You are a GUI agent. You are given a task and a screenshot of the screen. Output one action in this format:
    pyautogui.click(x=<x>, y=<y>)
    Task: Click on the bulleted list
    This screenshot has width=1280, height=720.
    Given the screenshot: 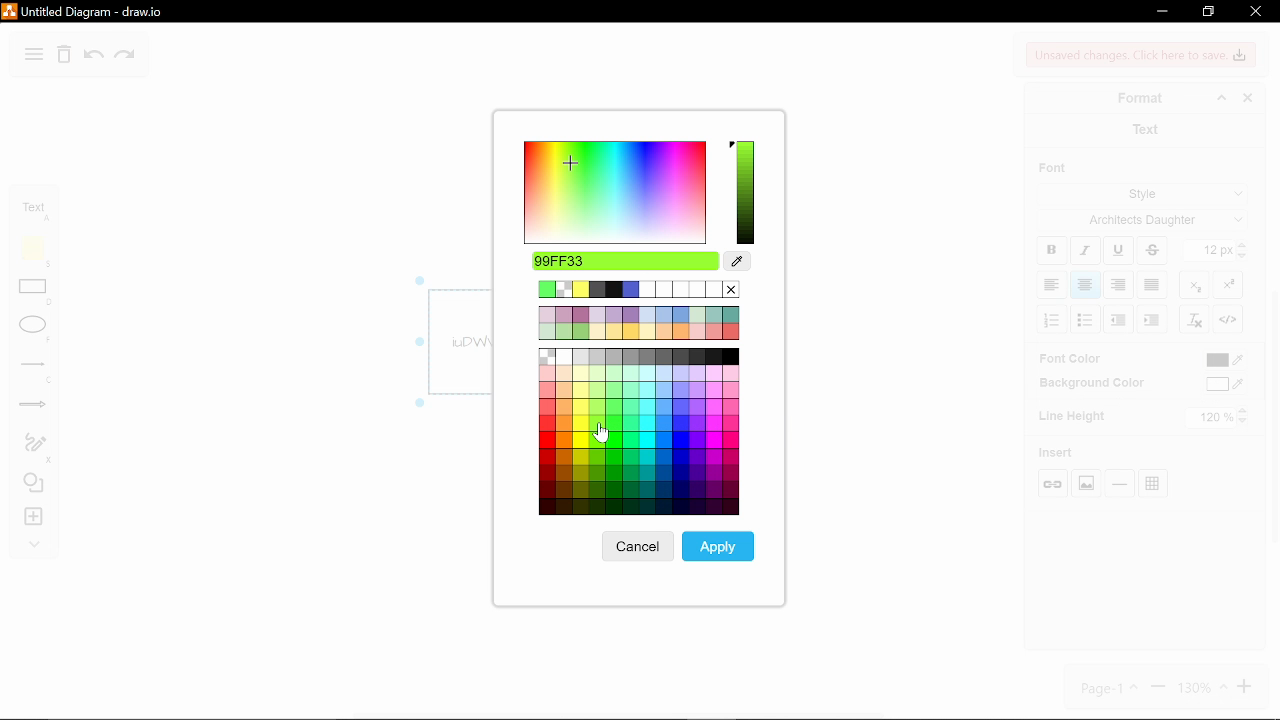 What is the action you would take?
    pyautogui.click(x=1087, y=319)
    